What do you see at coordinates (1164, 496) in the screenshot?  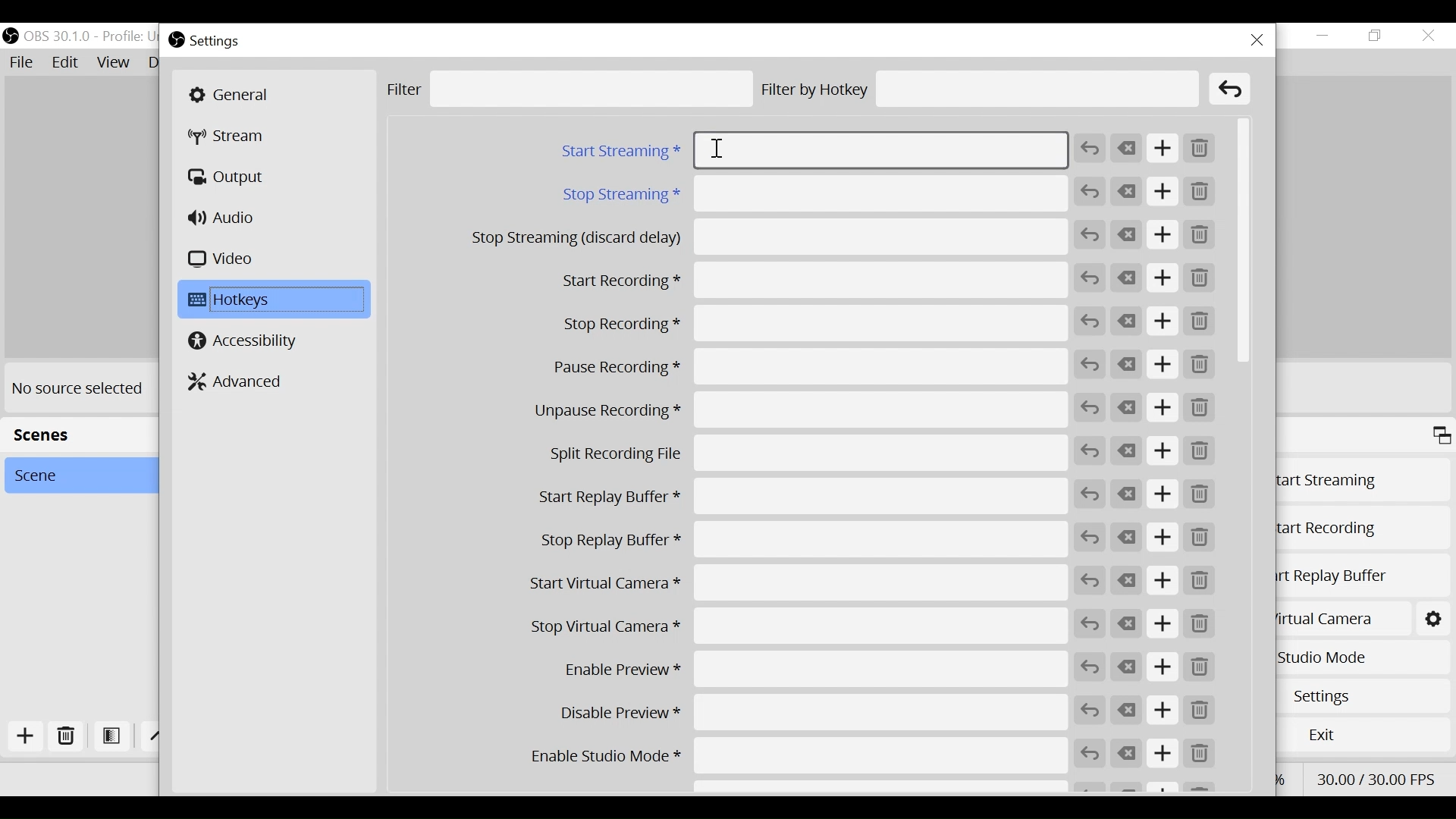 I see `Add` at bounding box center [1164, 496].